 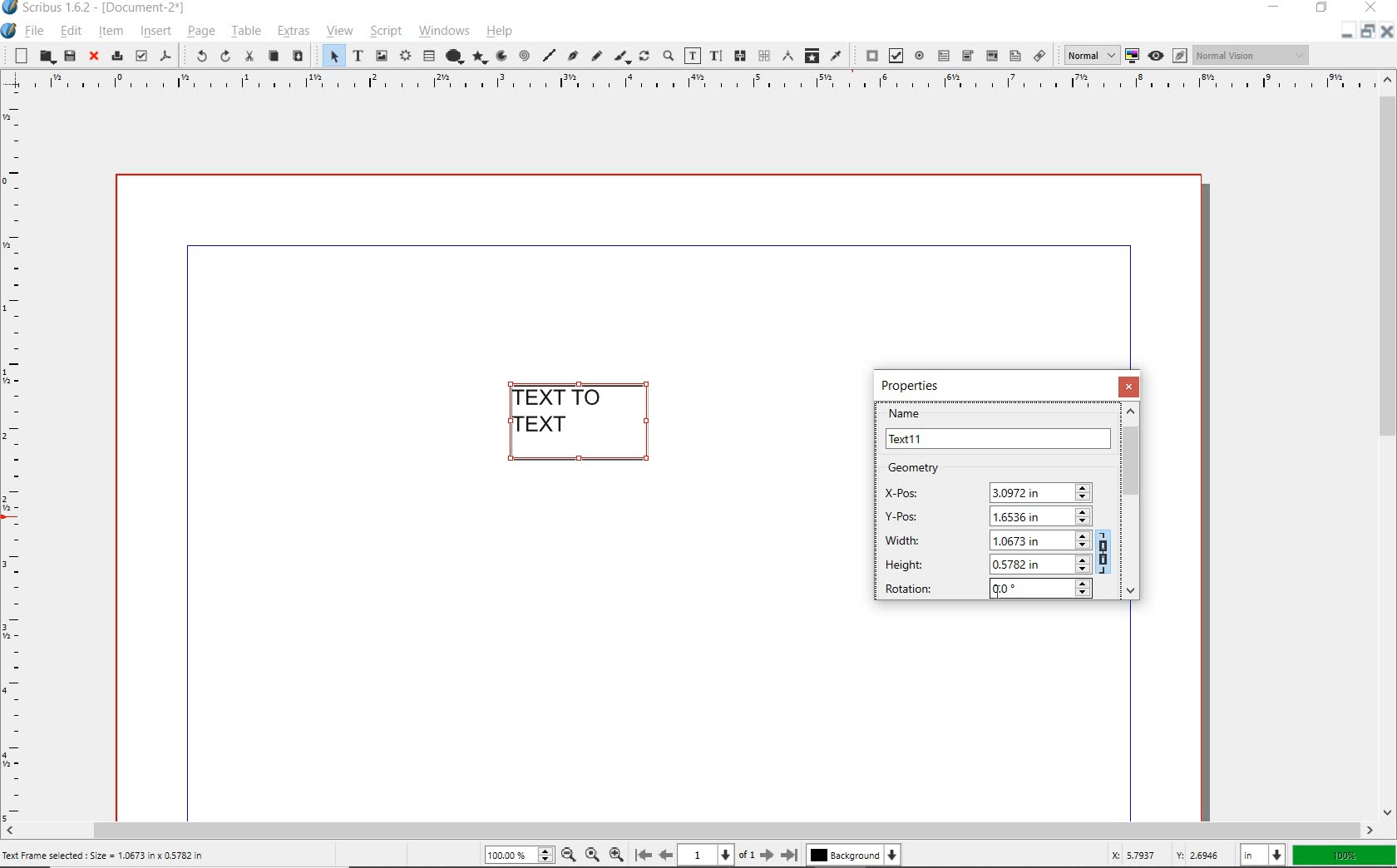 What do you see at coordinates (1322, 9) in the screenshot?
I see `restore` at bounding box center [1322, 9].